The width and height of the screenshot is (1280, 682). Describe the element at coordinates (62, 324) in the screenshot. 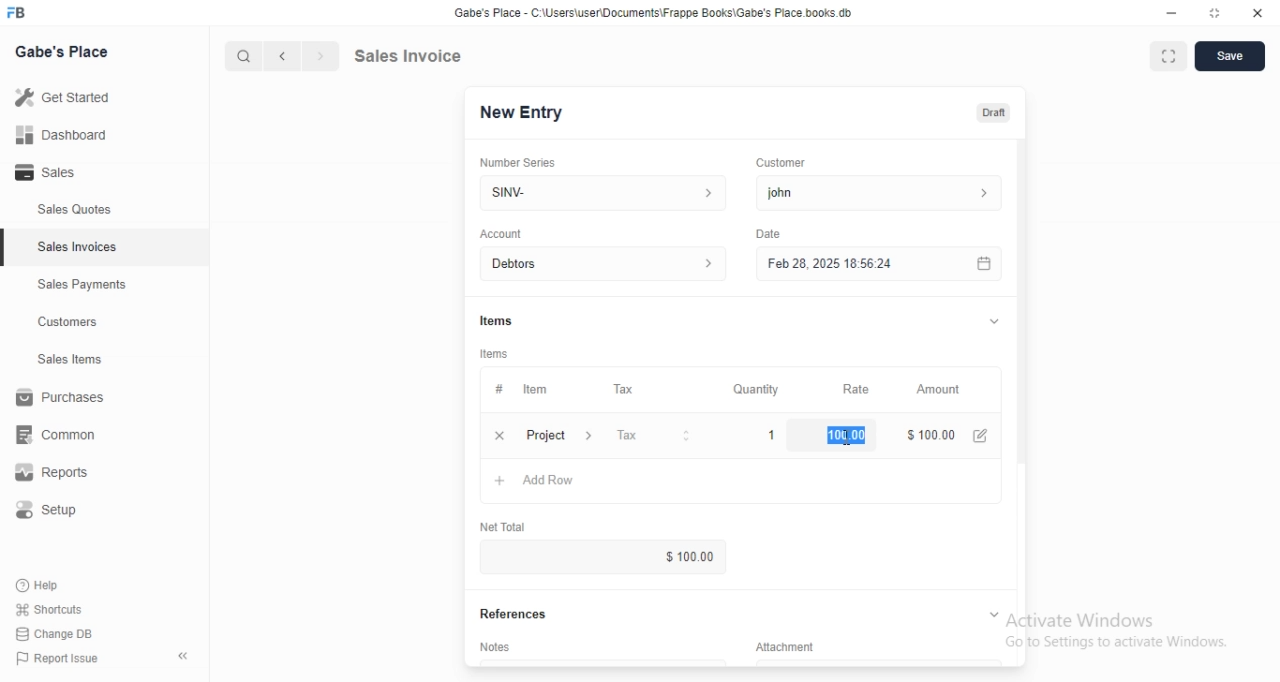

I see `Customers.` at that location.